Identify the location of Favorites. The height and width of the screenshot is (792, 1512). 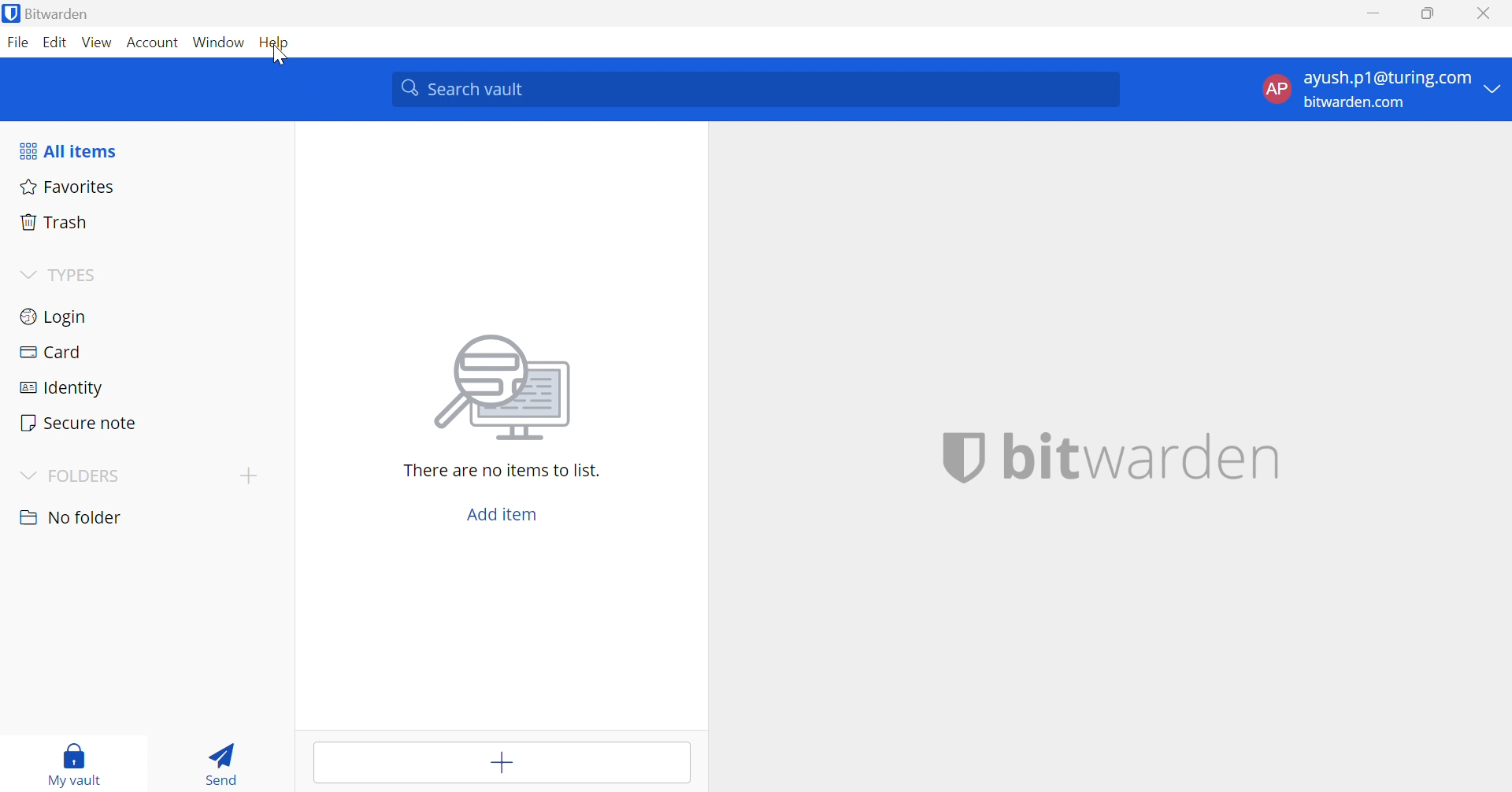
(147, 187).